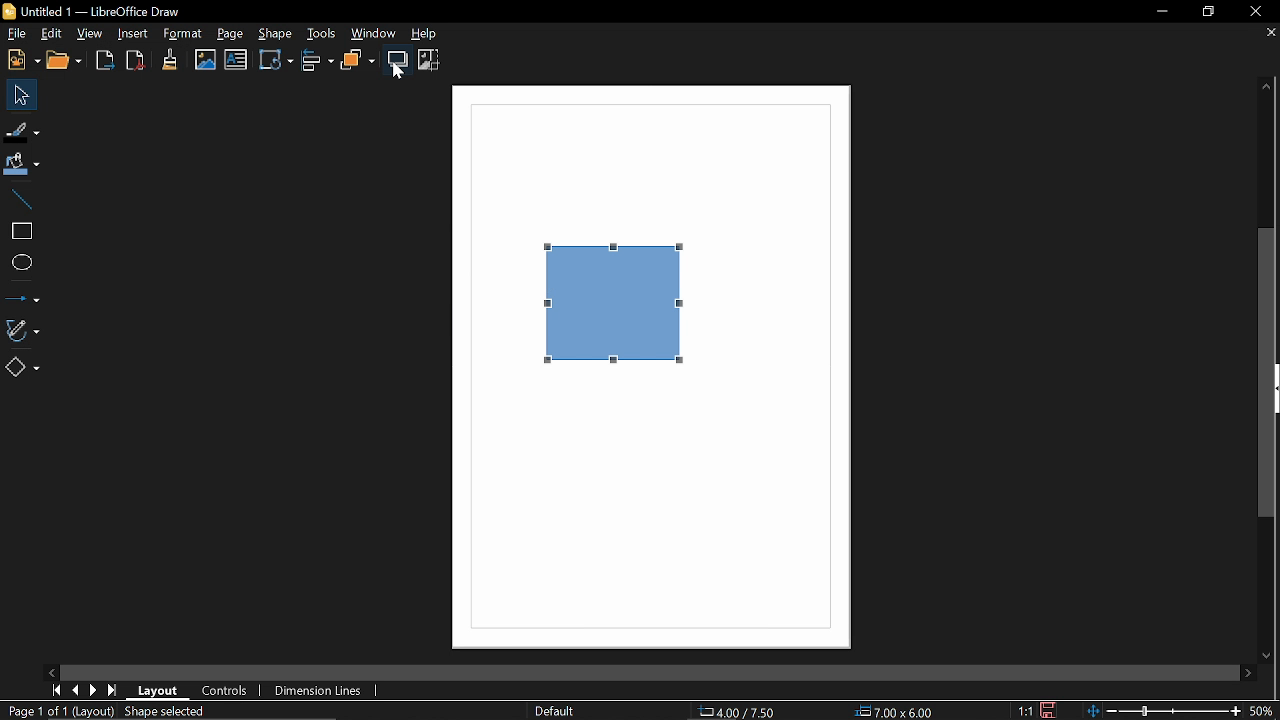 The width and height of the screenshot is (1280, 720). Describe the element at coordinates (170, 59) in the screenshot. I see `Clone formatting` at that location.